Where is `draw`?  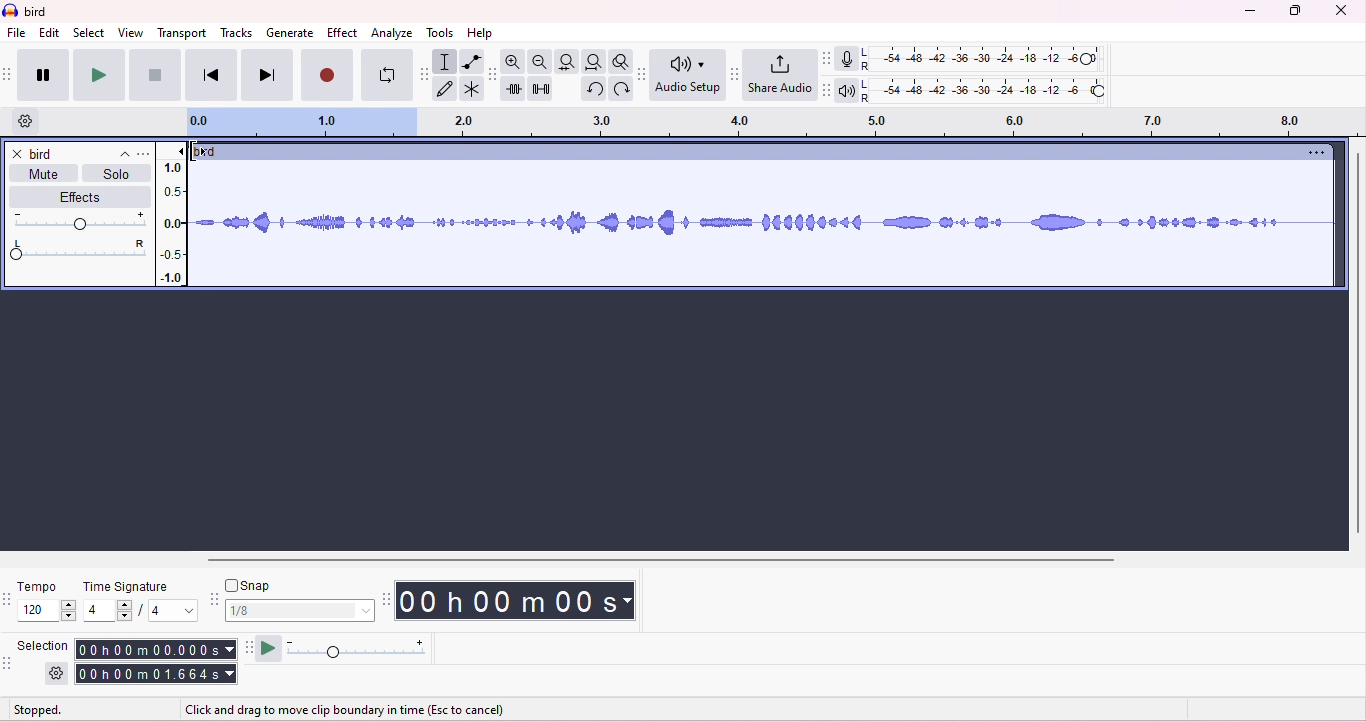 draw is located at coordinates (445, 90).